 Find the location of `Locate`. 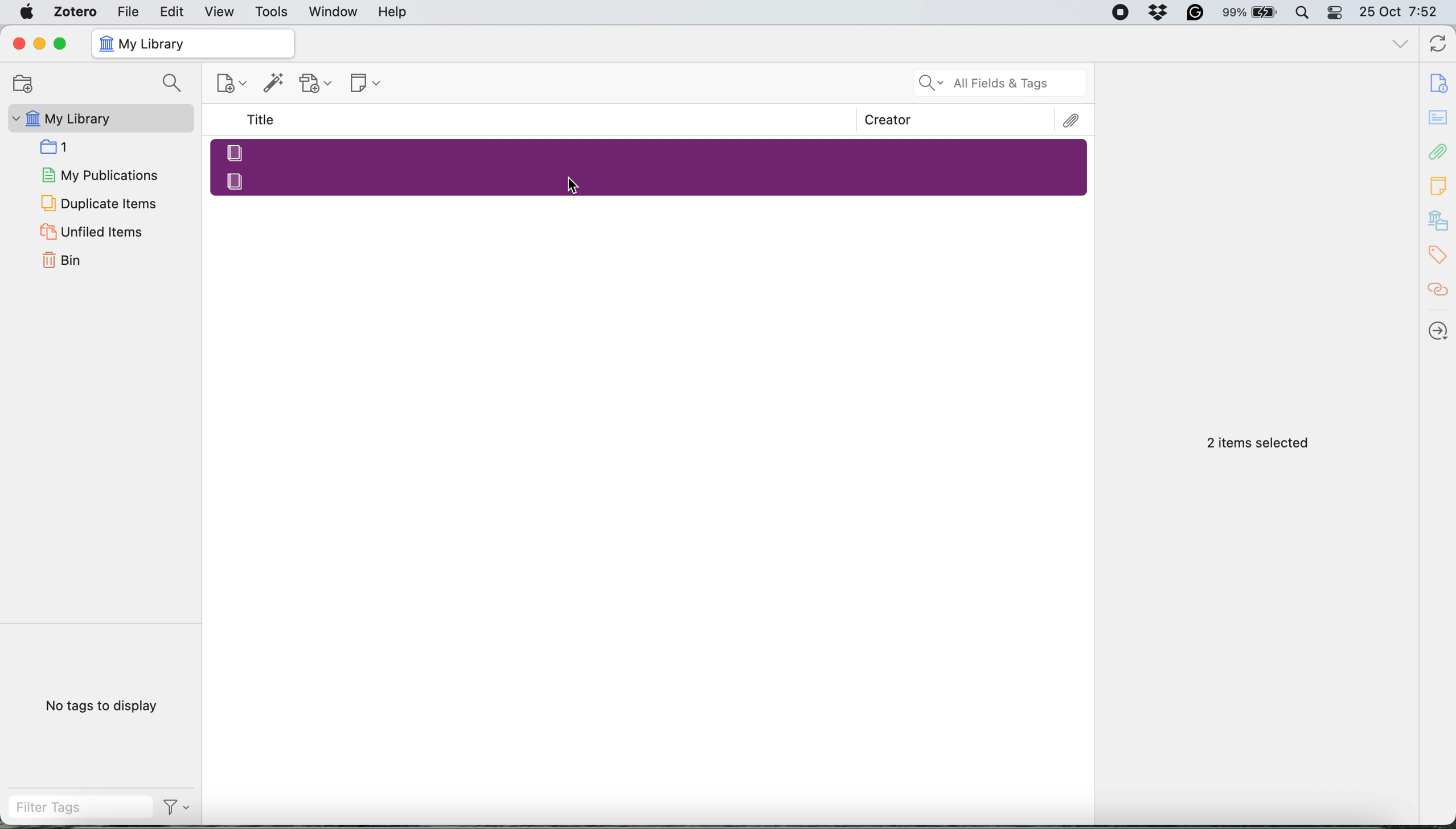

Locate is located at coordinates (1439, 331).